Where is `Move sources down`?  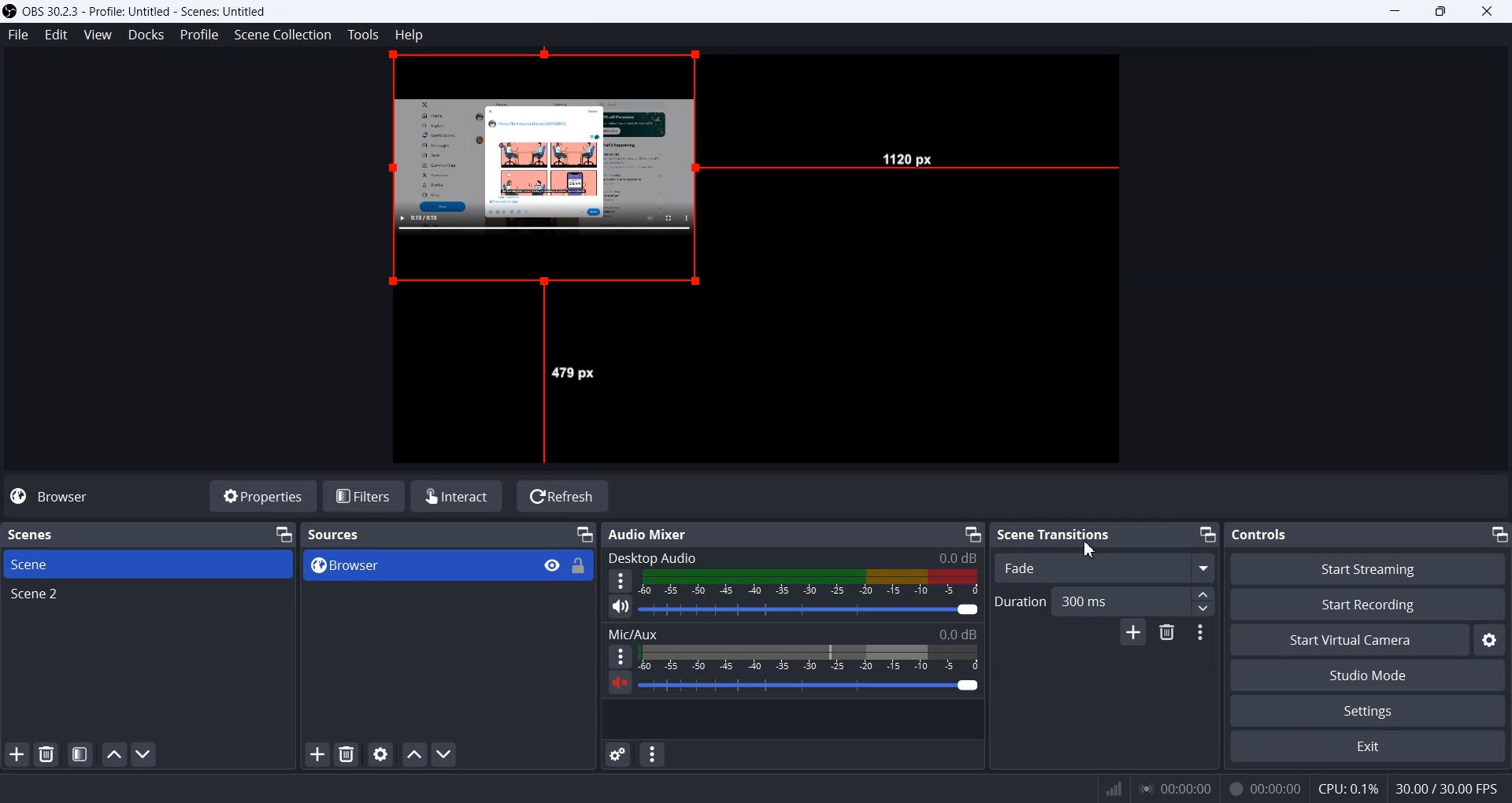 Move sources down is located at coordinates (443, 753).